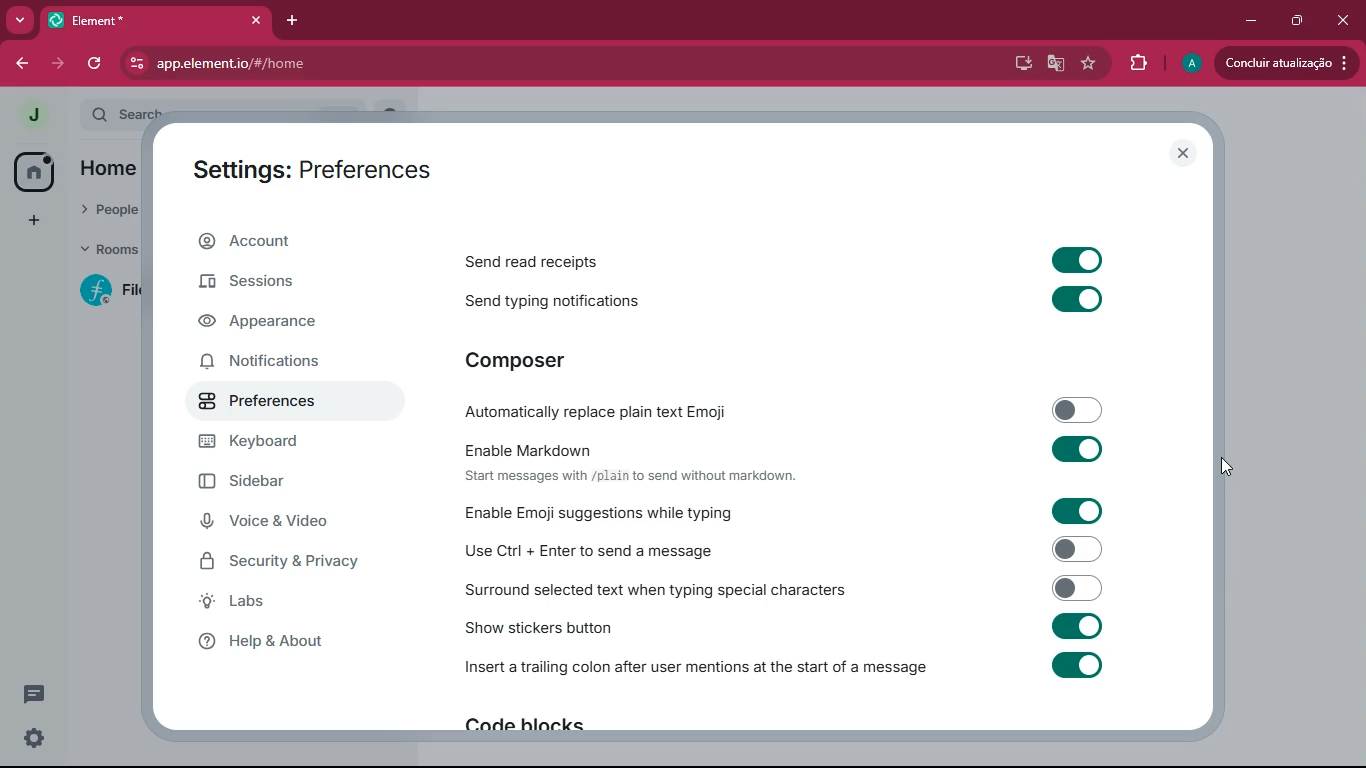  Describe the element at coordinates (112, 210) in the screenshot. I see `people` at that location.